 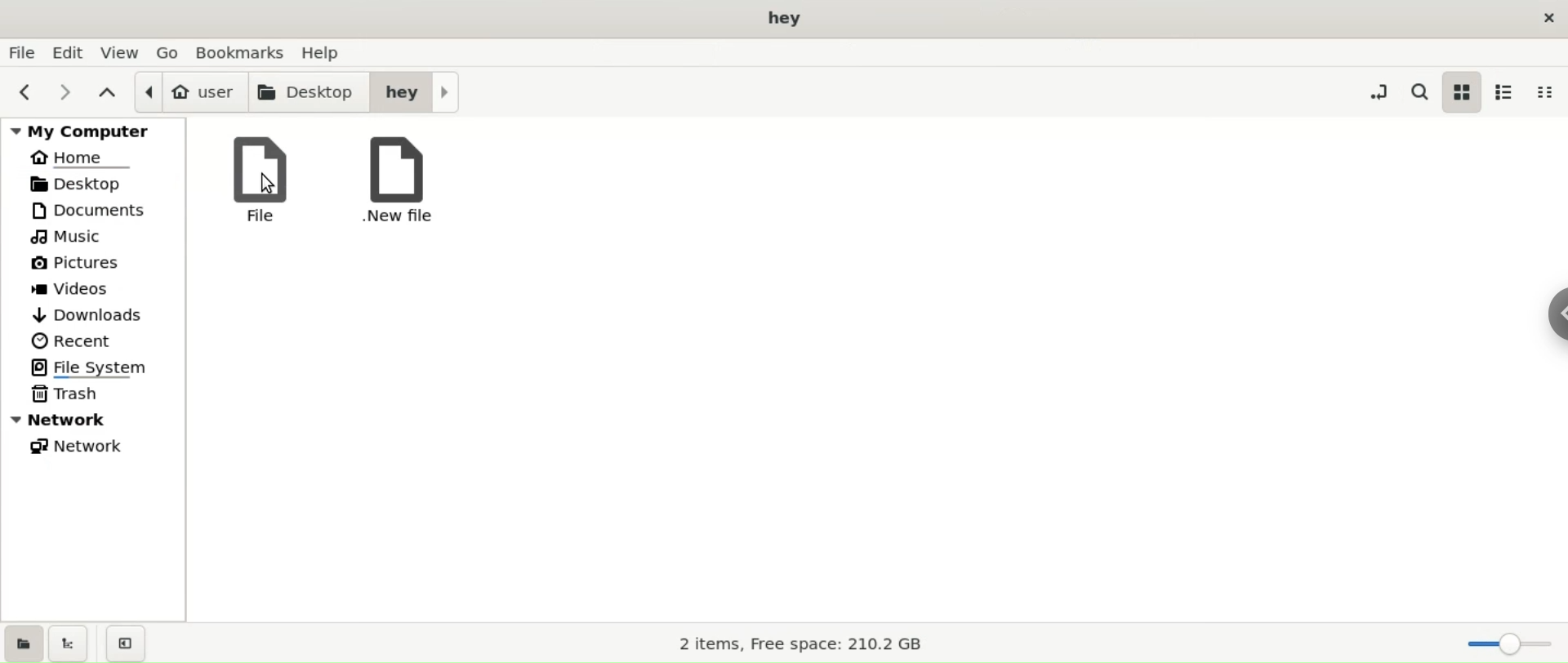 What do you see at coordinates (94, 448) in the screenshot?
I see `network` at bounding box center [94, 448].